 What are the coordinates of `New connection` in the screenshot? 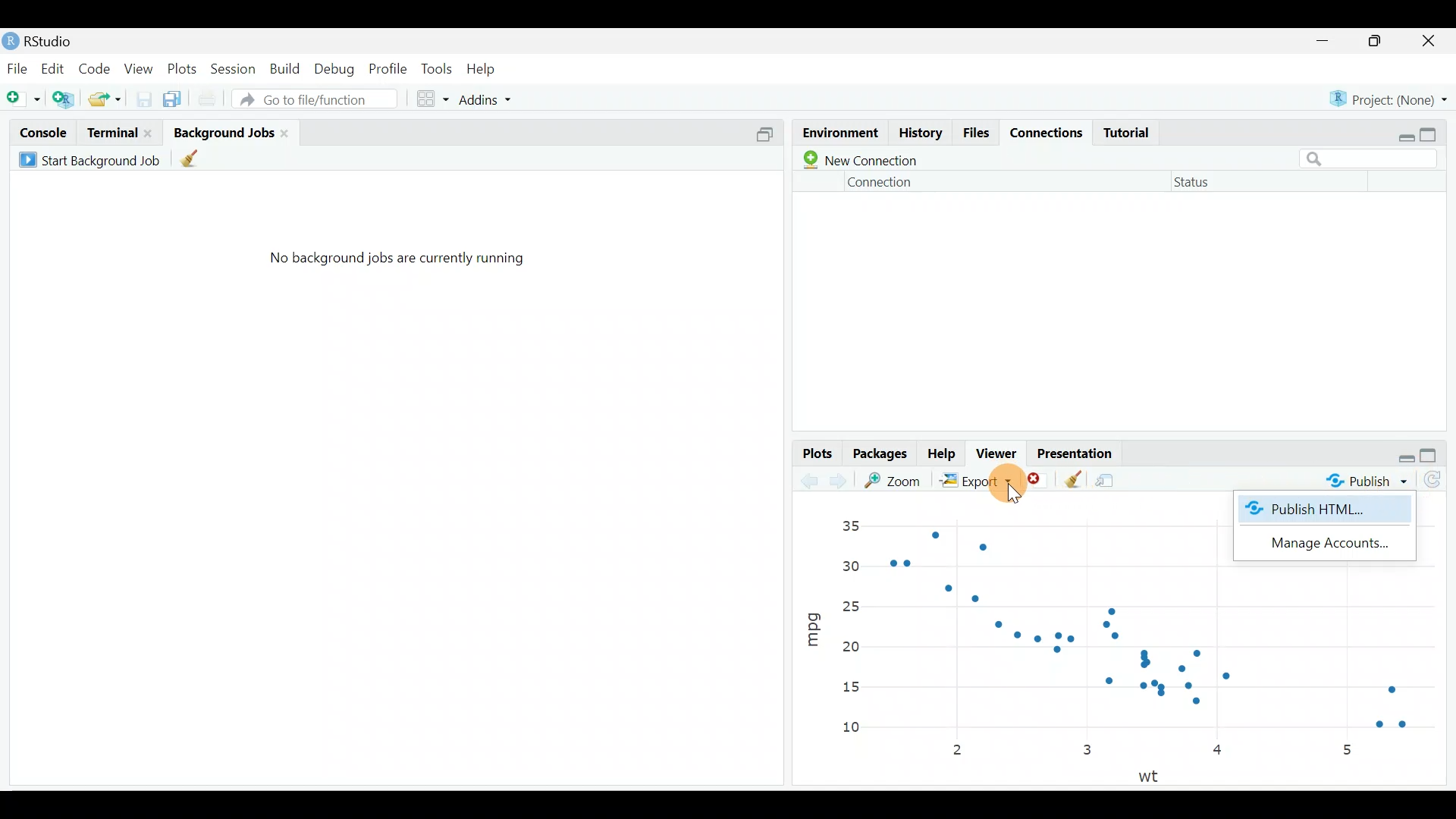 It's located at (857, 160).